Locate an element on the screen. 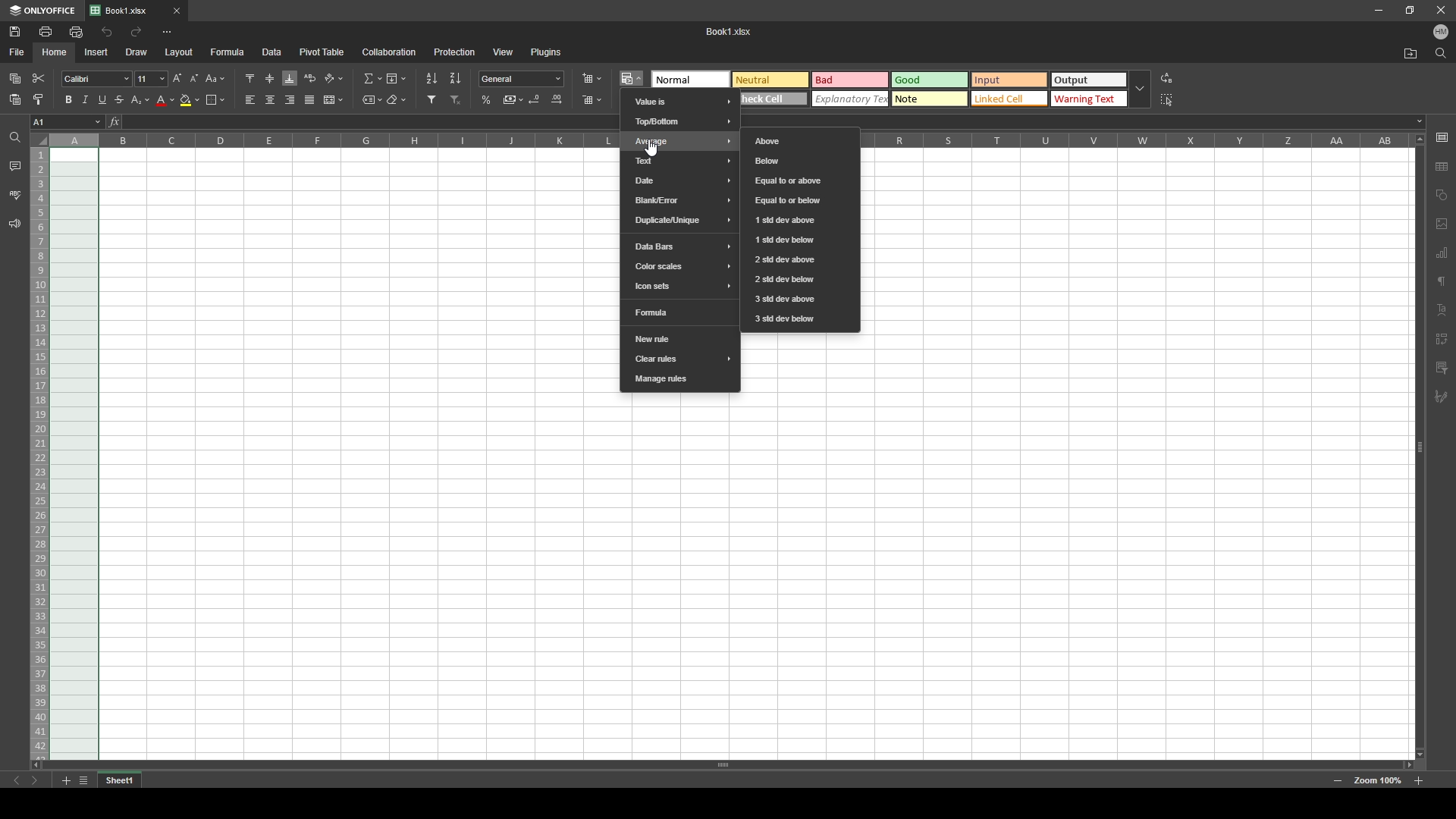  strikethrough is located at coordinates (120, 100).